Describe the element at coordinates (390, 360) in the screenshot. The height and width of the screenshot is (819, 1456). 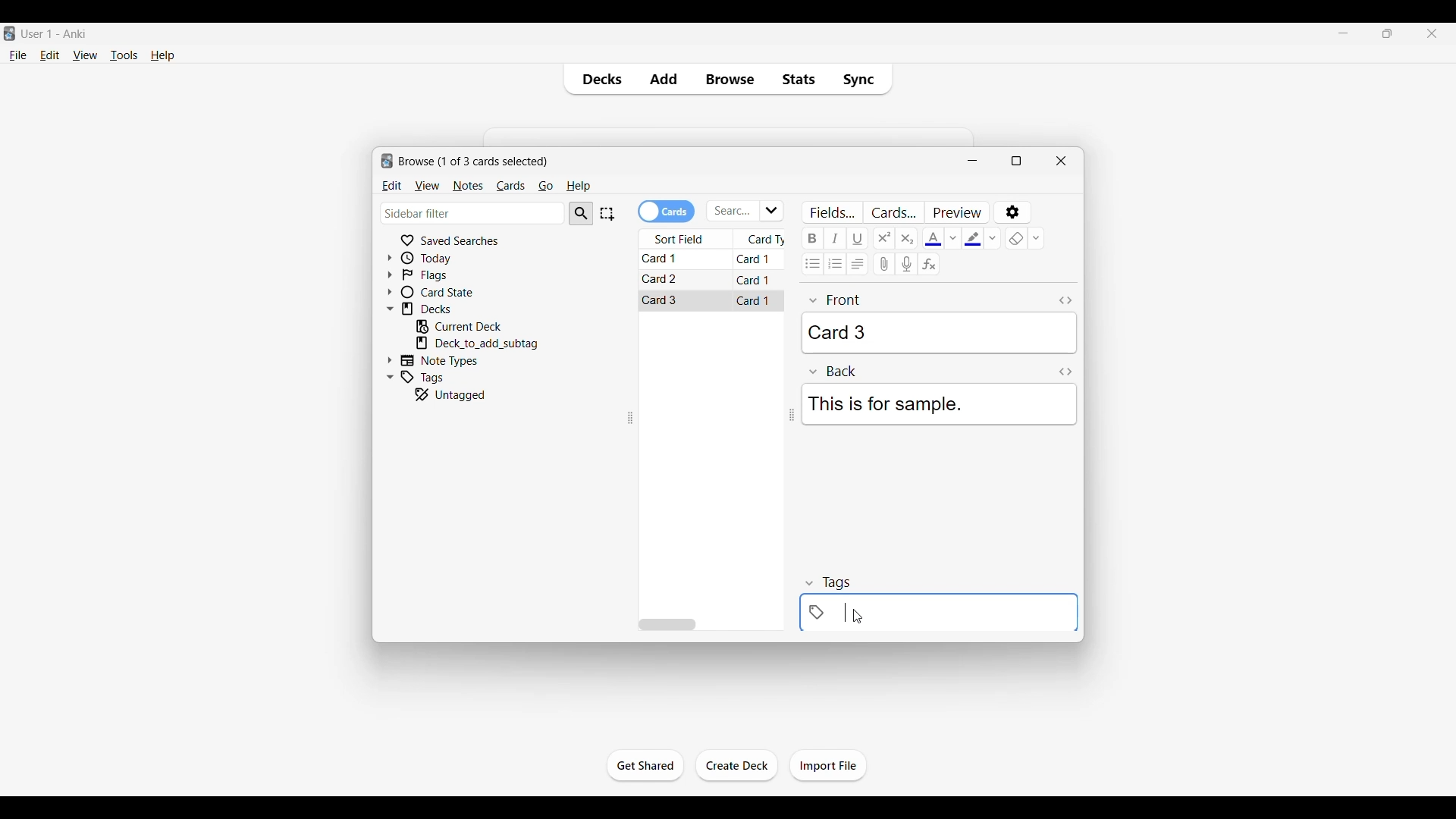
I see `Click to expand Note Types` at that location.